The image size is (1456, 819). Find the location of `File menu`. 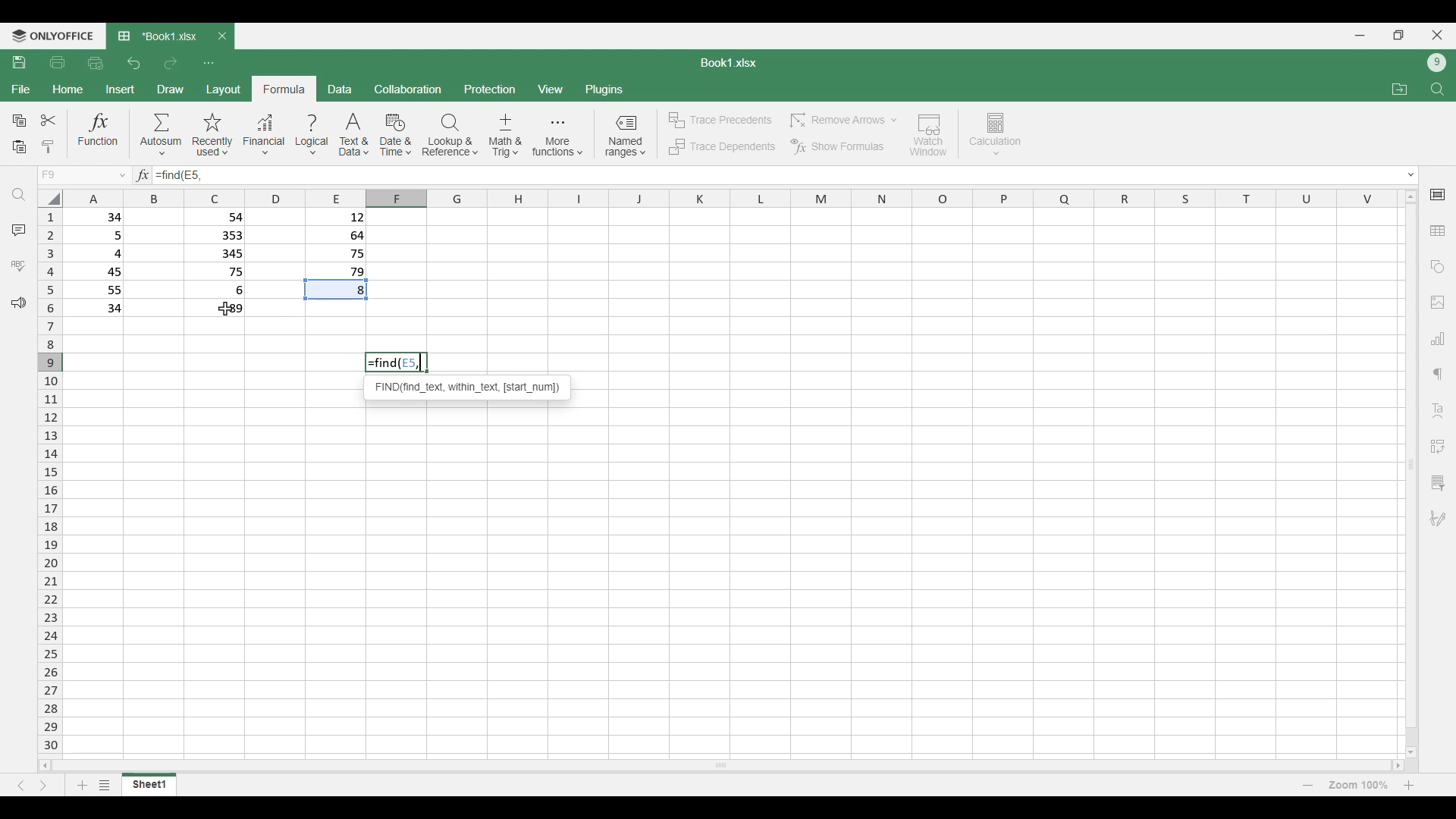

File menu is located at coordinates (21, 89).